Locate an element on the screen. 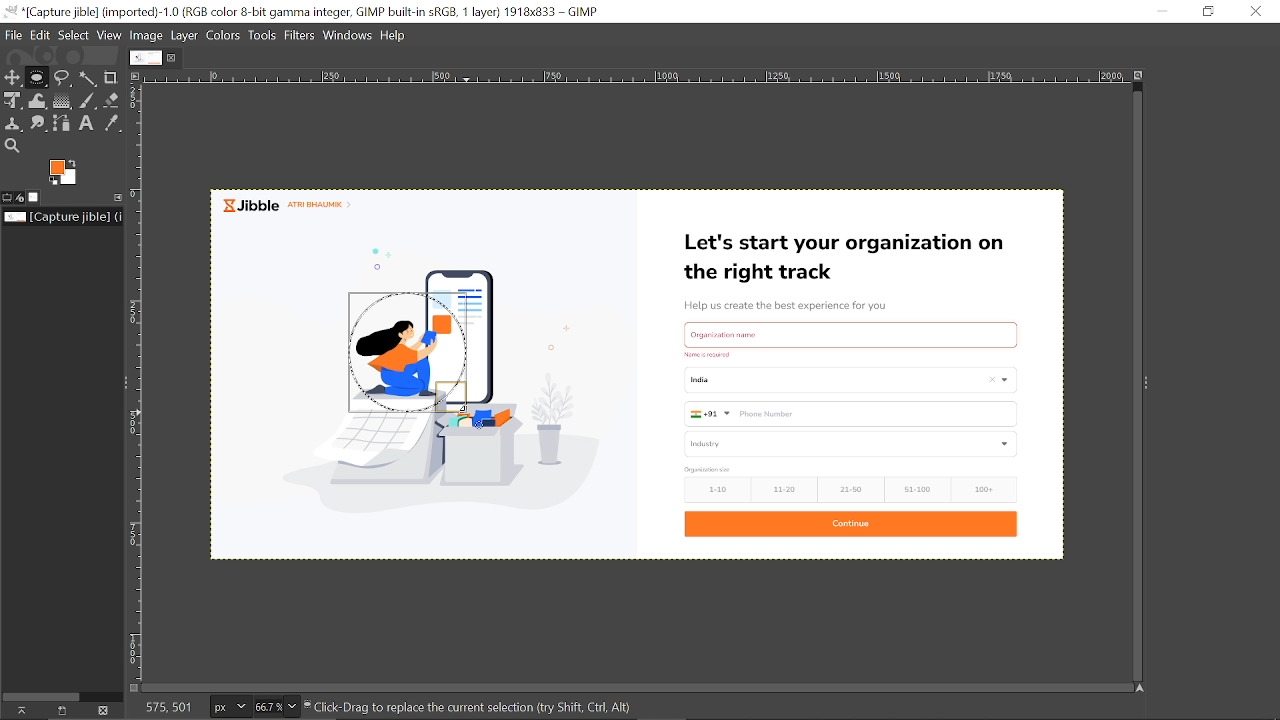 Image resolution: width=1280 pixels, height=720 pixels. Filters is located at coordinates (302, 35).